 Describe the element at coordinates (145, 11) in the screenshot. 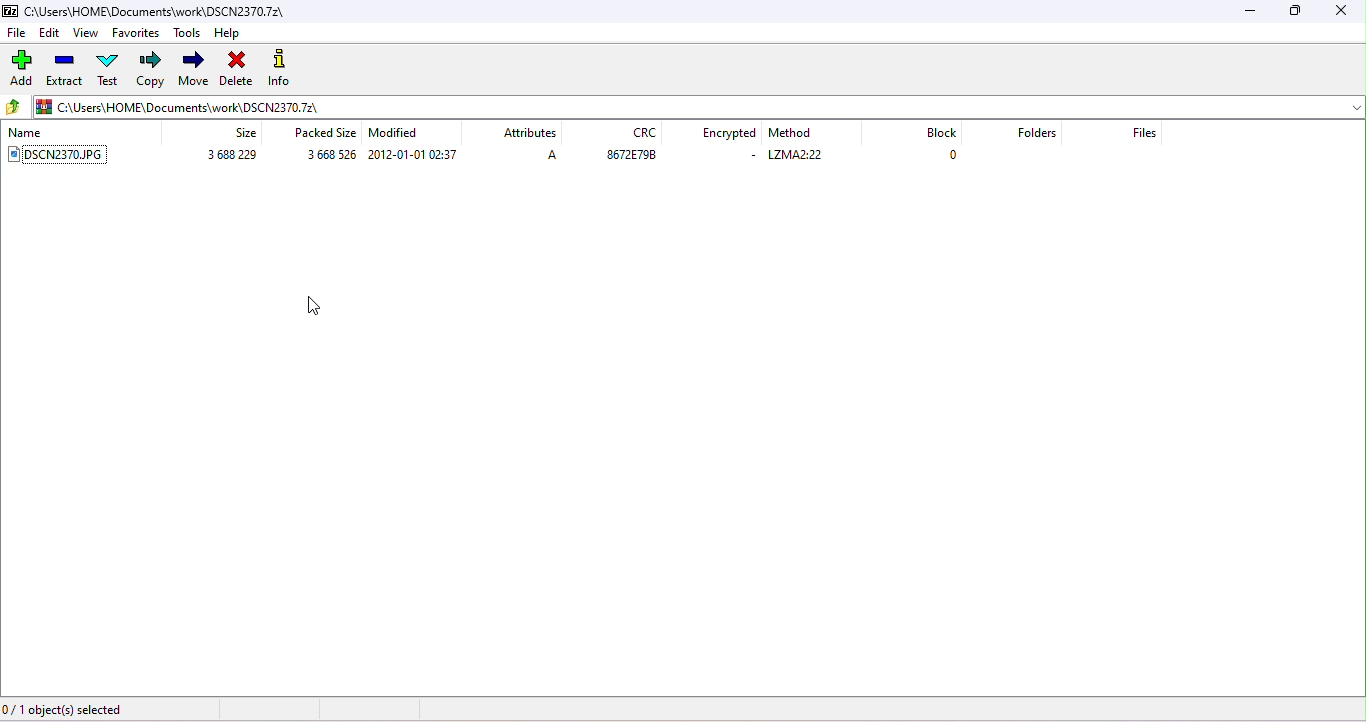

I see `c\users\home\documents\work\dscn2370.7z\` at that location.